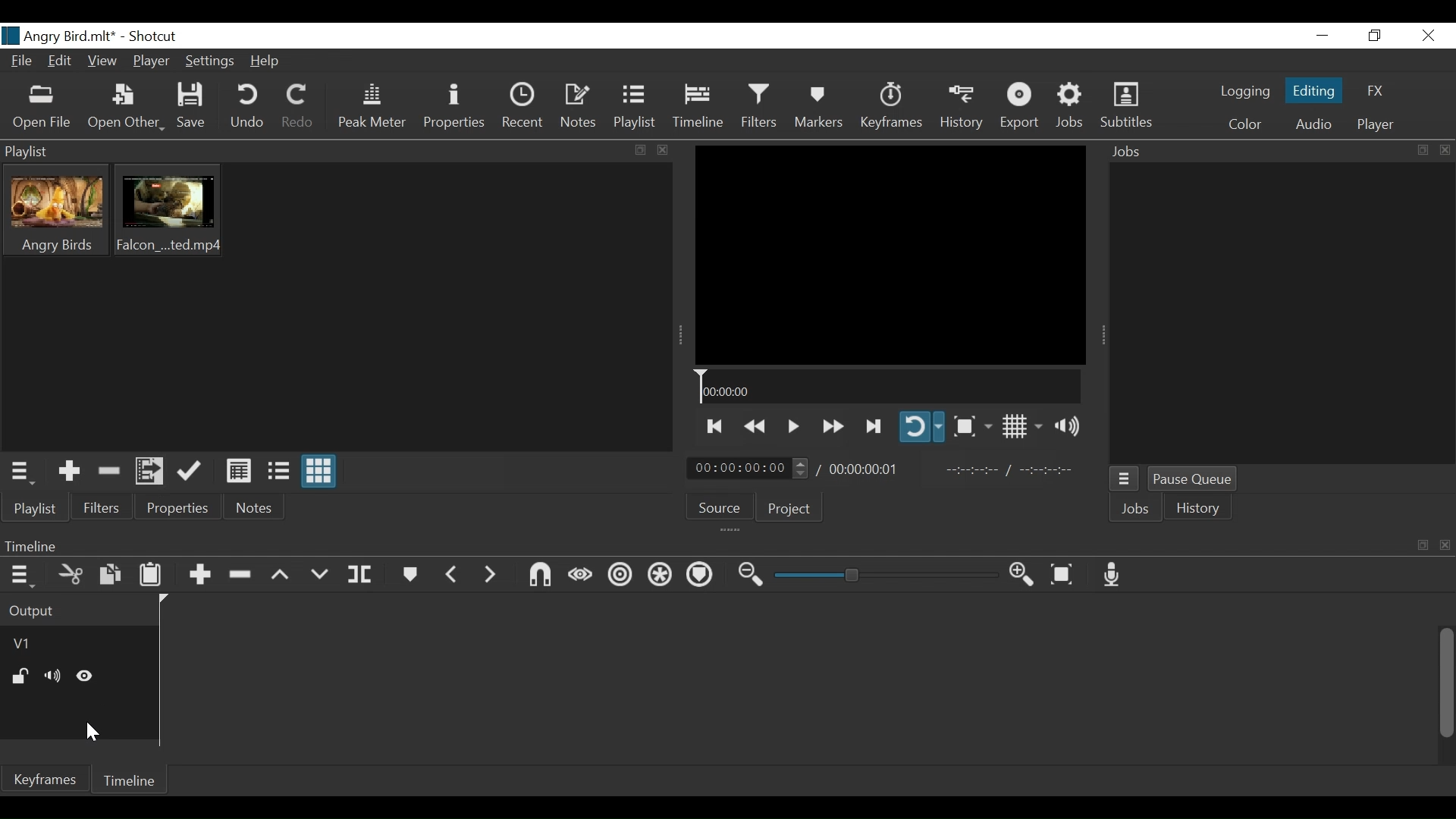  Describe the element at coordinates (21, 59) in the screenshot. I see `File` at that location.